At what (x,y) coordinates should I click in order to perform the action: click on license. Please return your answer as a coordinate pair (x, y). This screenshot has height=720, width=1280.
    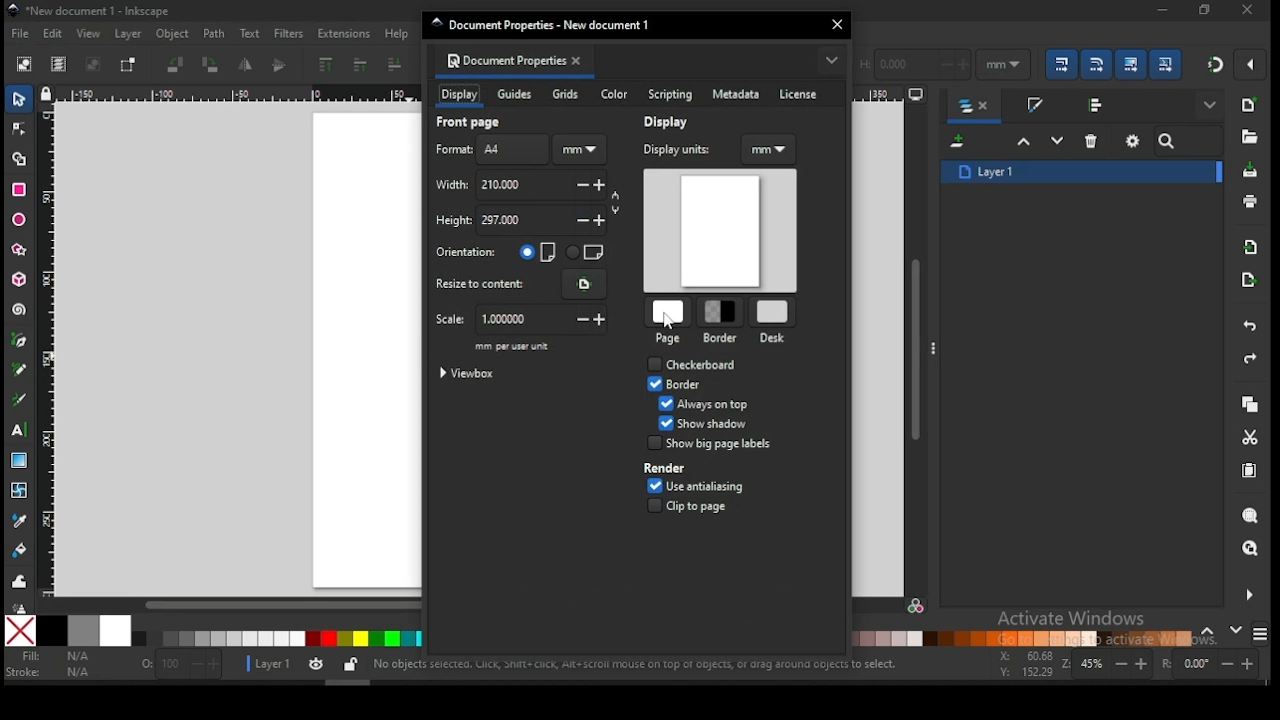
    Looking at the image, I should click on (797, 95).